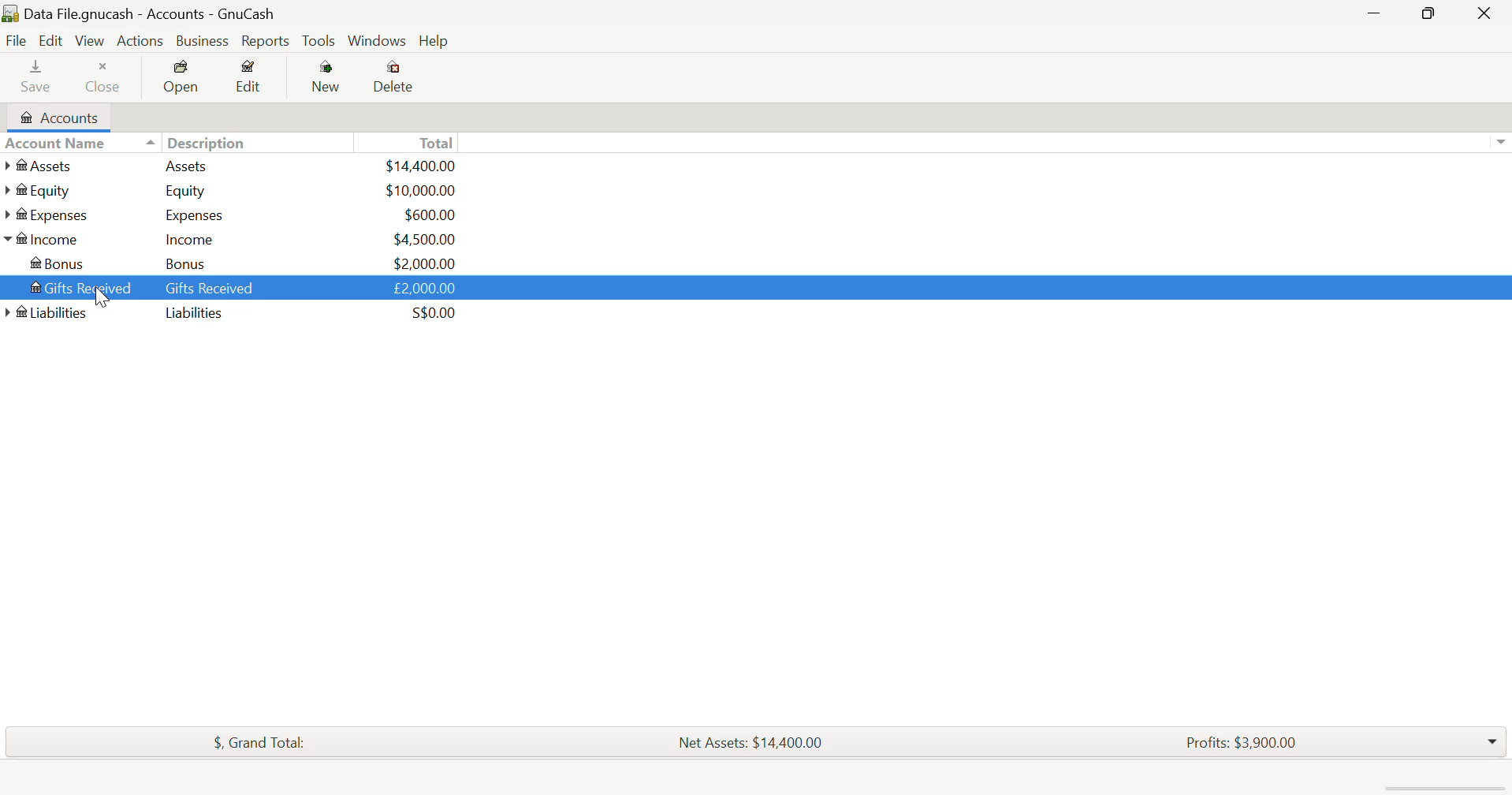 The image size is (1512, 795). Describe the element at coordinates (423, 263) in the screenshot. I see `USD` at that location.